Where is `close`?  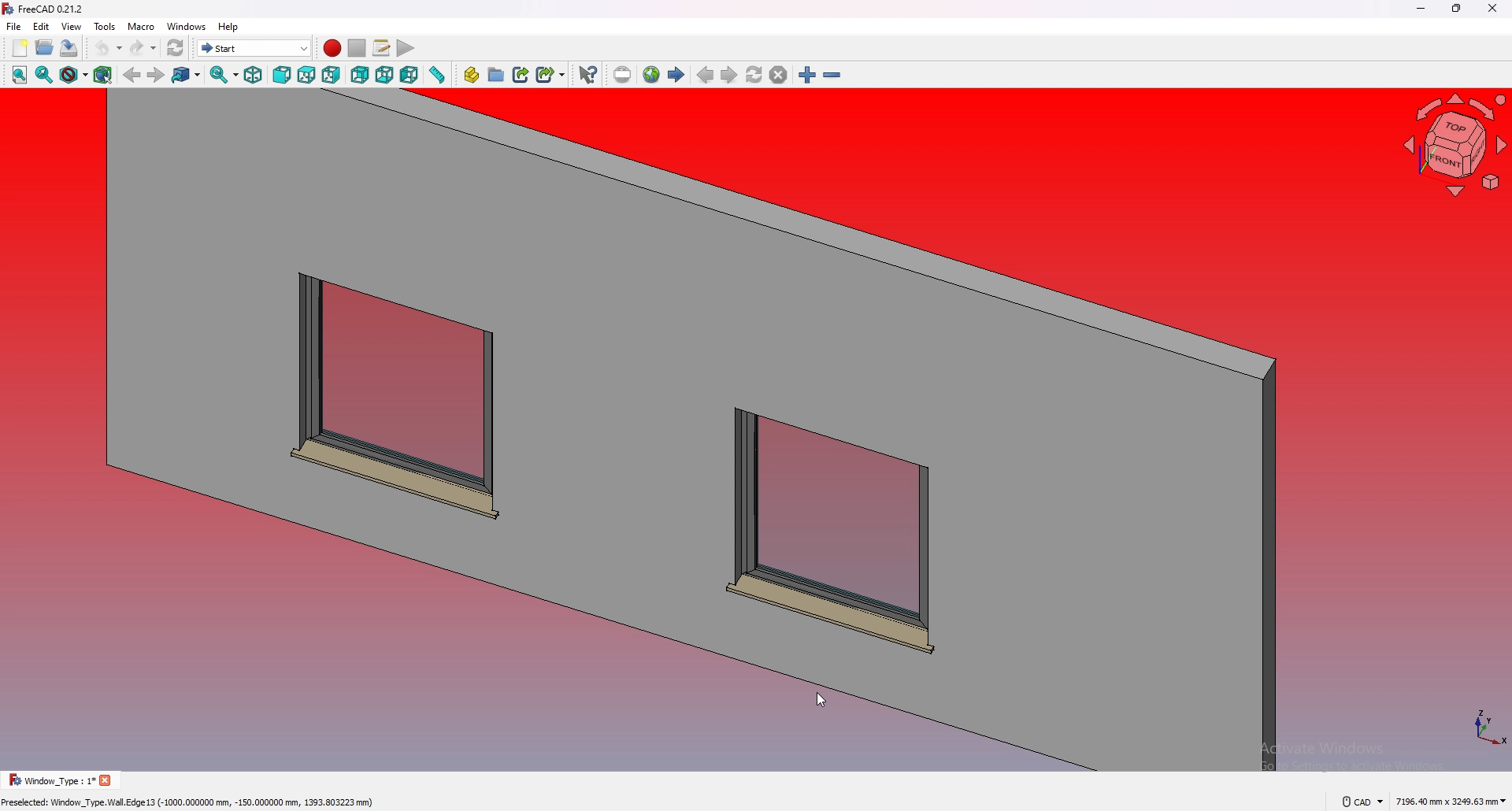 close is located at coordinates (104, 780).